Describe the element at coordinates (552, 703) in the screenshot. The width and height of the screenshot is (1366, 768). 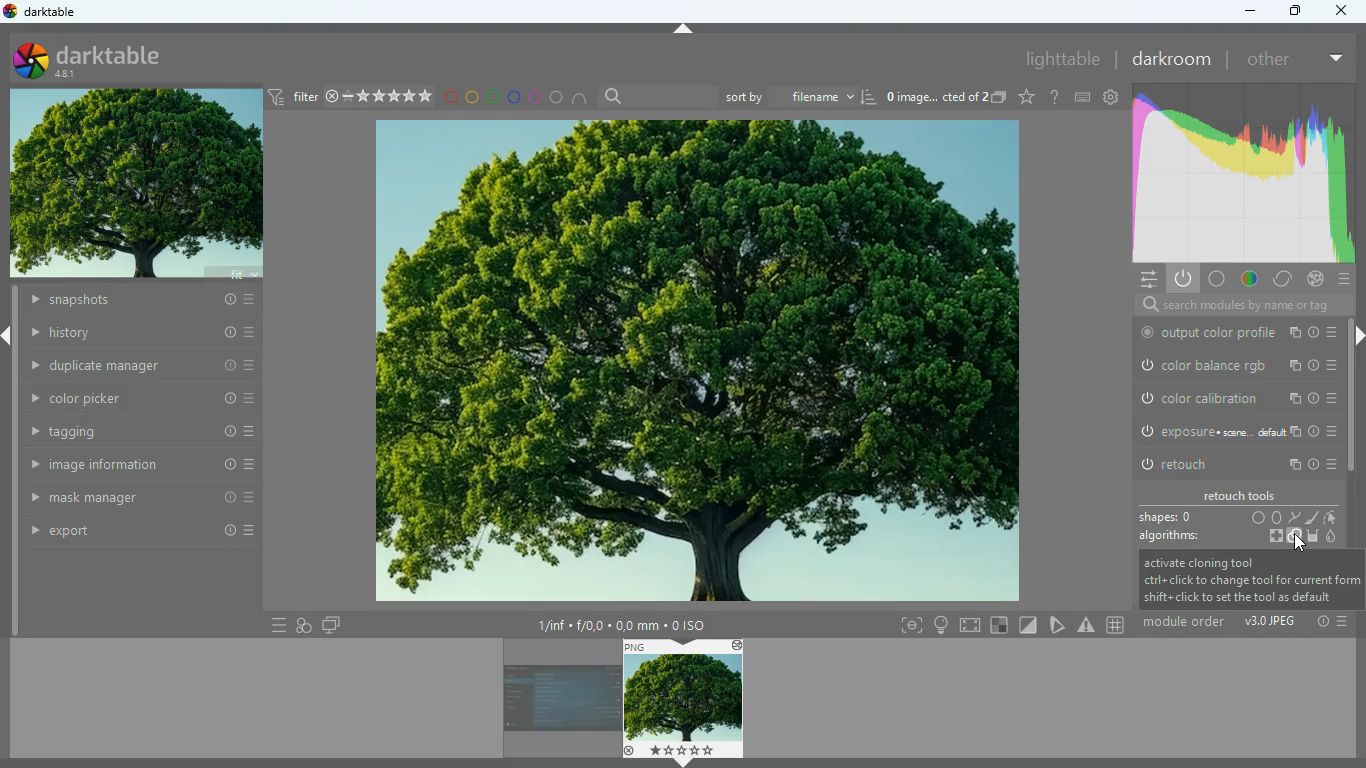
I see `image` at that location.